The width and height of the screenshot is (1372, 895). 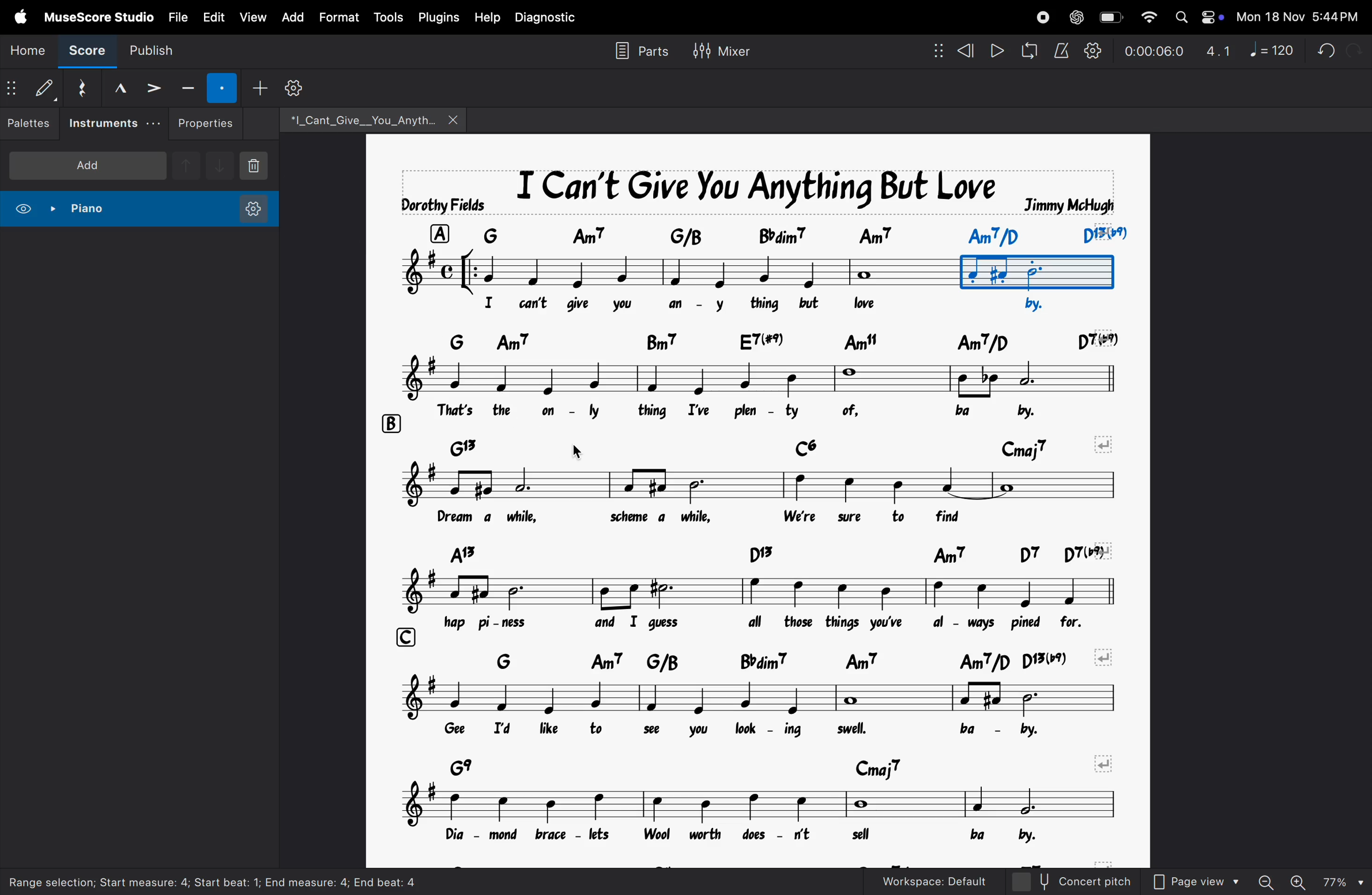 What do you see at coordinates (785, 447) in the screenshot?
I see `chord notes` at bounding box center [785, 447].